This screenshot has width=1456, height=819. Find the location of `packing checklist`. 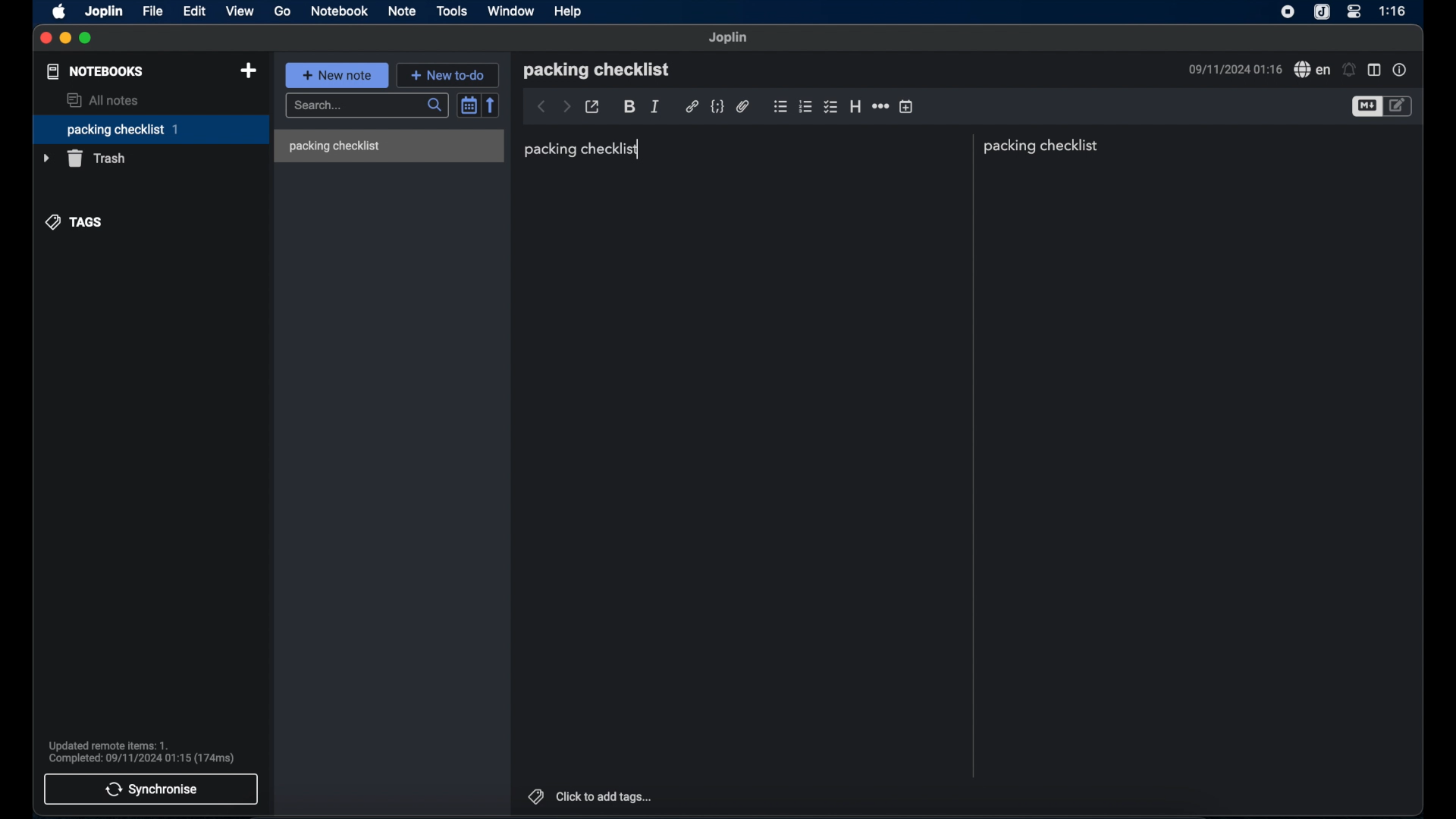

packing checklist is located at coordinates (334, 146).